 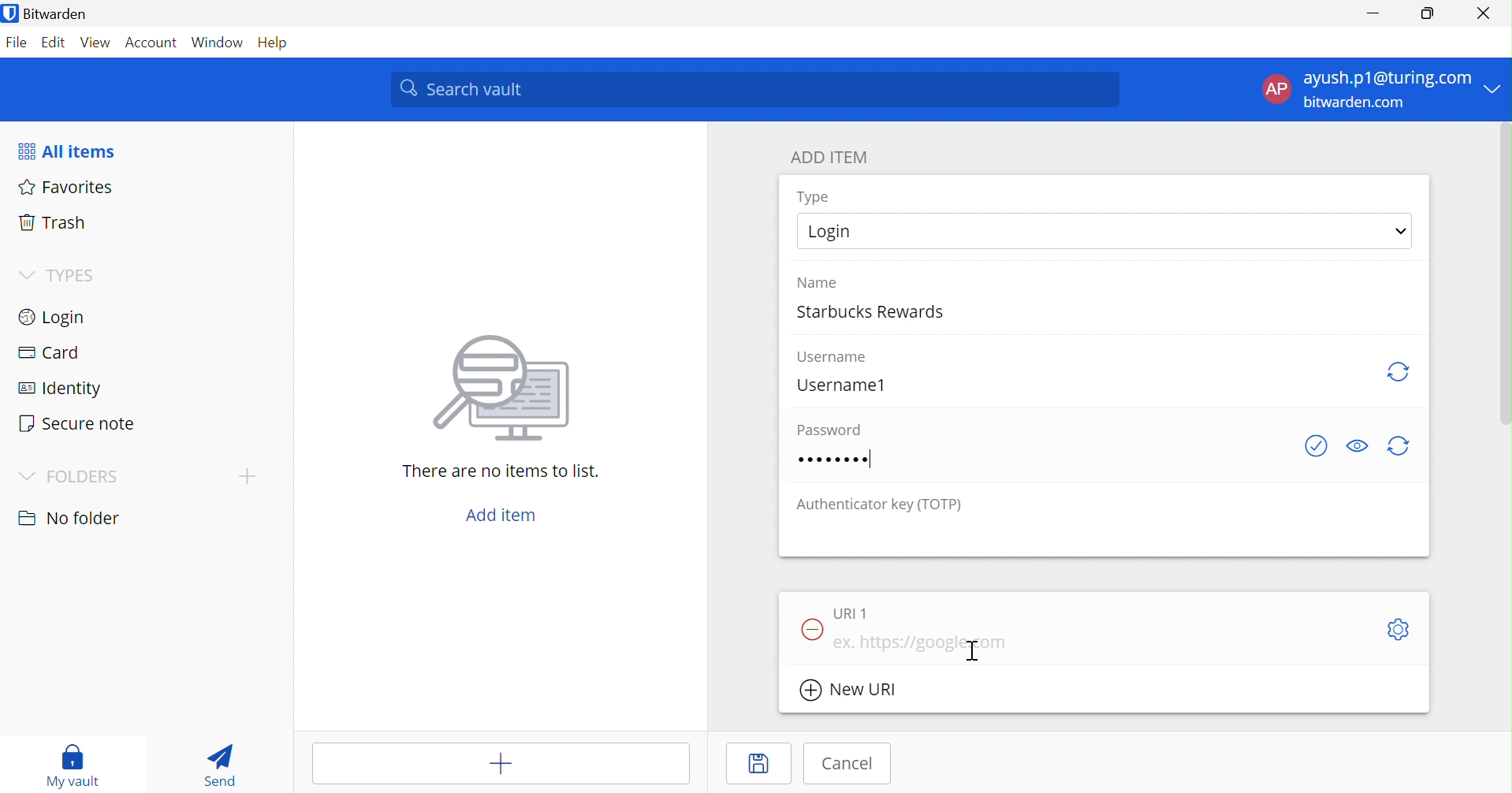 What do you see at coordinates (154, 43) in the screenshot?
I see `Account` at bounding box center [154, 43].